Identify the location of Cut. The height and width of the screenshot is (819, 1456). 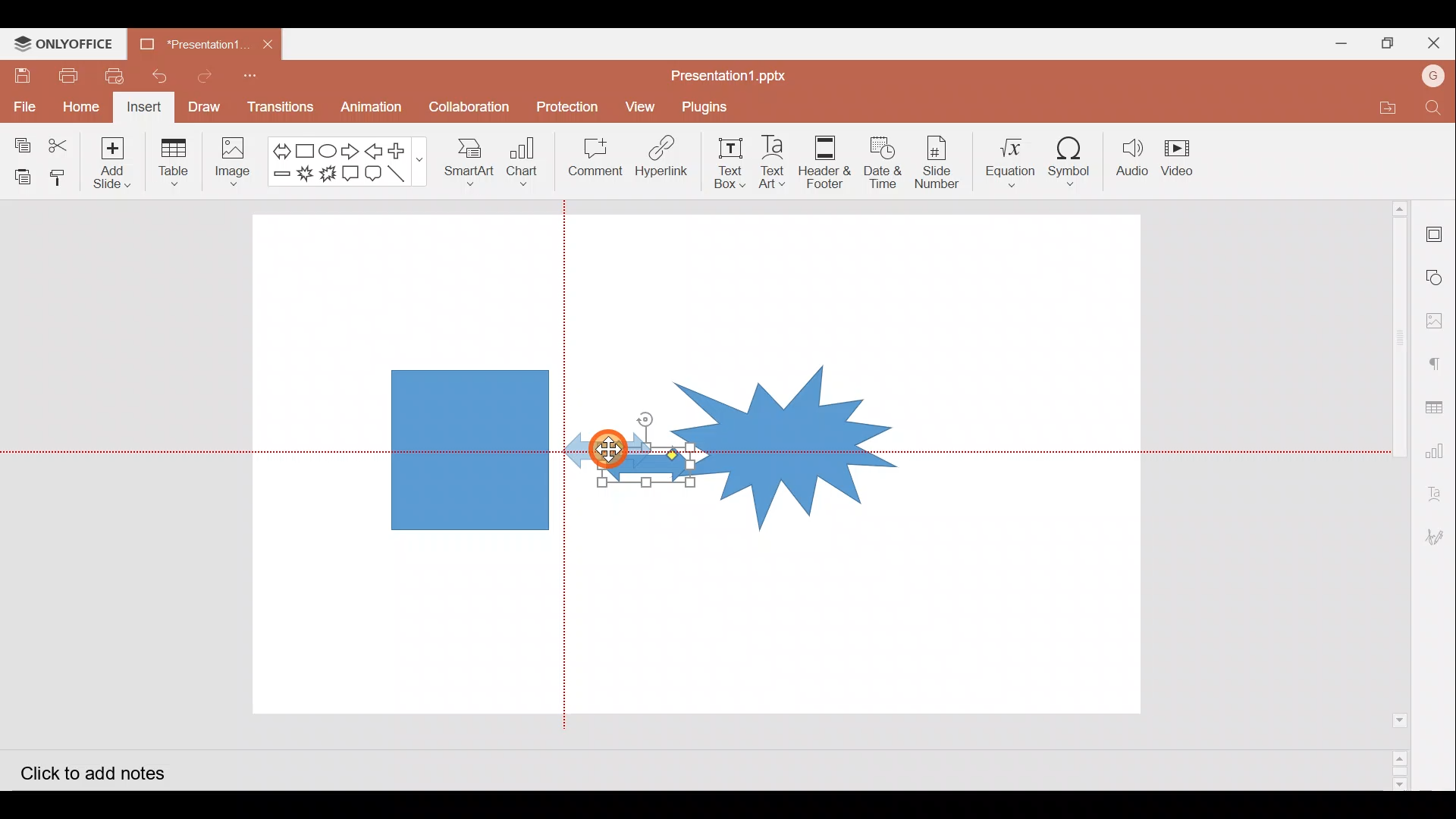
(67, 142).